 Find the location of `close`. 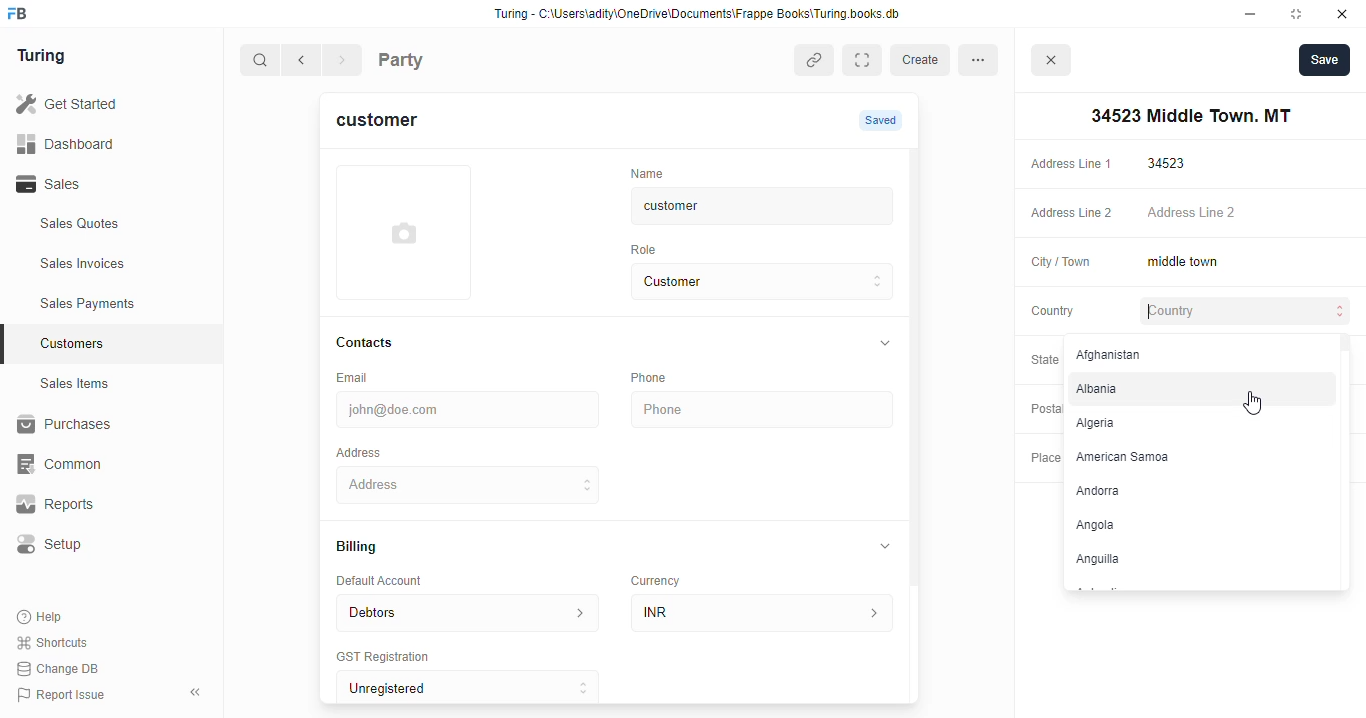

close is located at coordinates (1054, 63).